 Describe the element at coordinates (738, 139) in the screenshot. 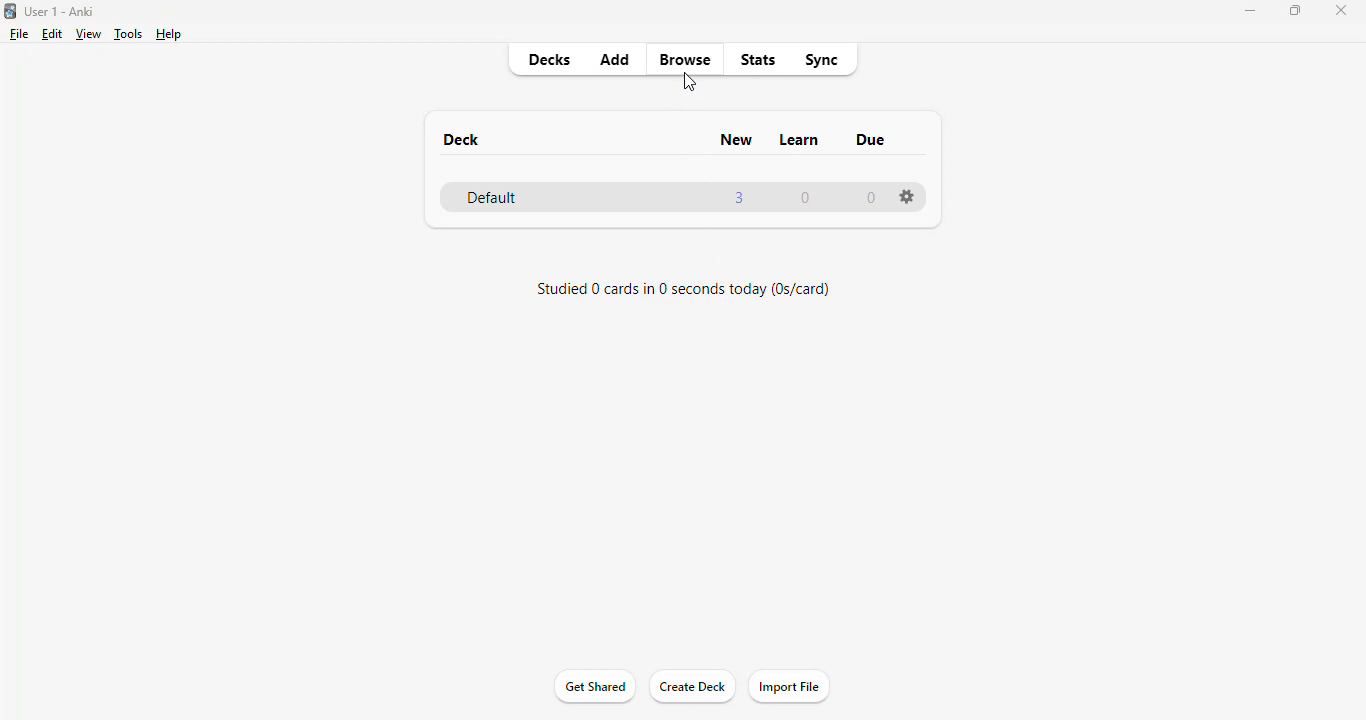

I see `new` at that location.